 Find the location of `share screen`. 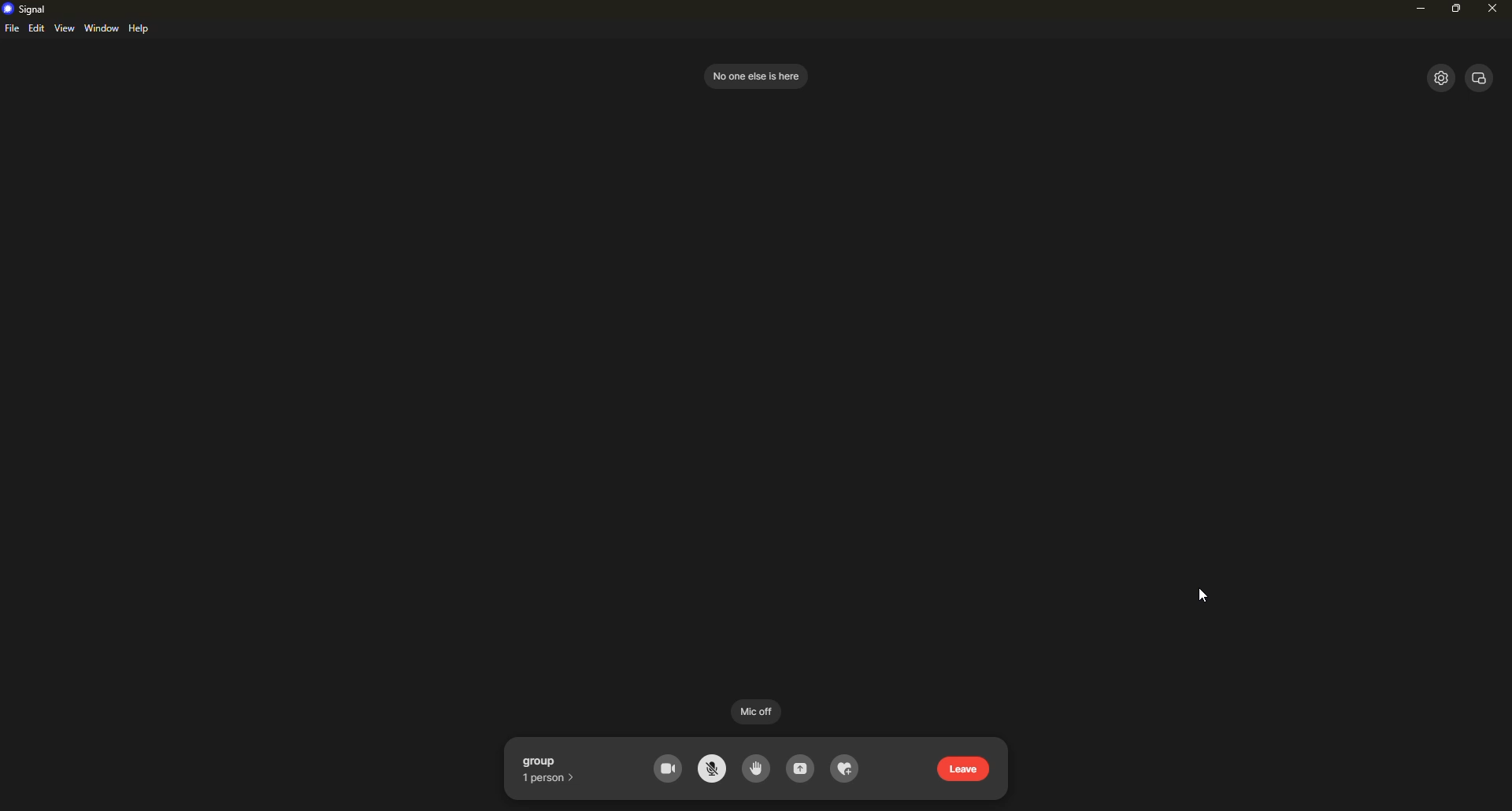

share screen is located at coordinates (801, 770).